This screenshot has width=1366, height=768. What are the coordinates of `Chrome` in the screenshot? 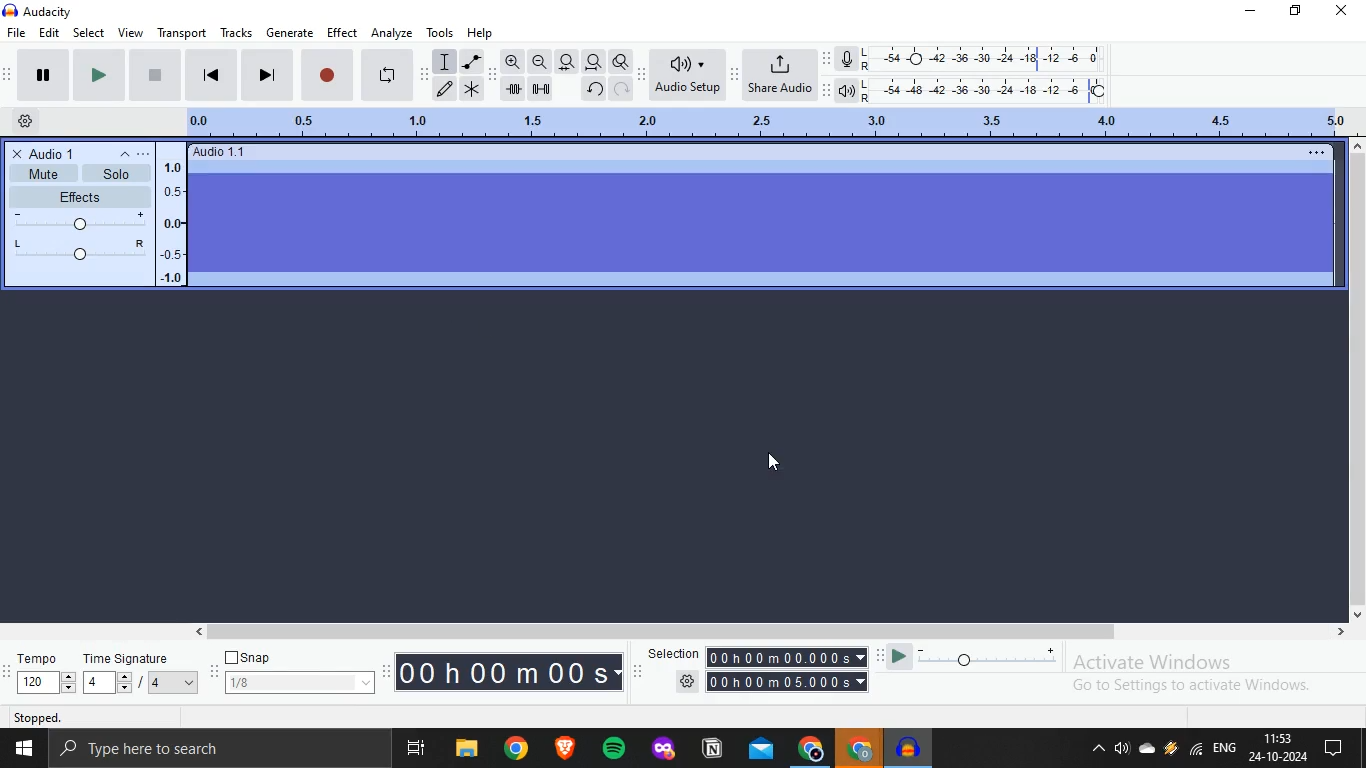 It's located at (856, 750).